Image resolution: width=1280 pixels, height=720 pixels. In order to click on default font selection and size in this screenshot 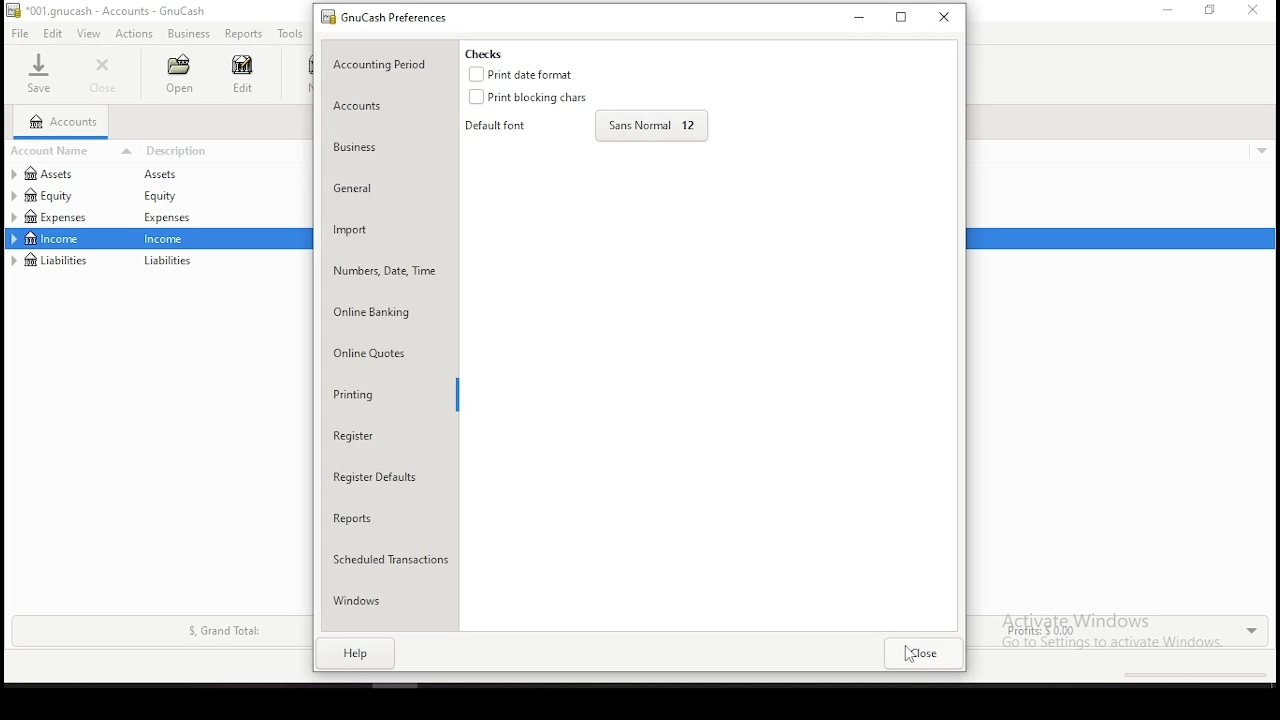, I will do `click(584, 127)`.